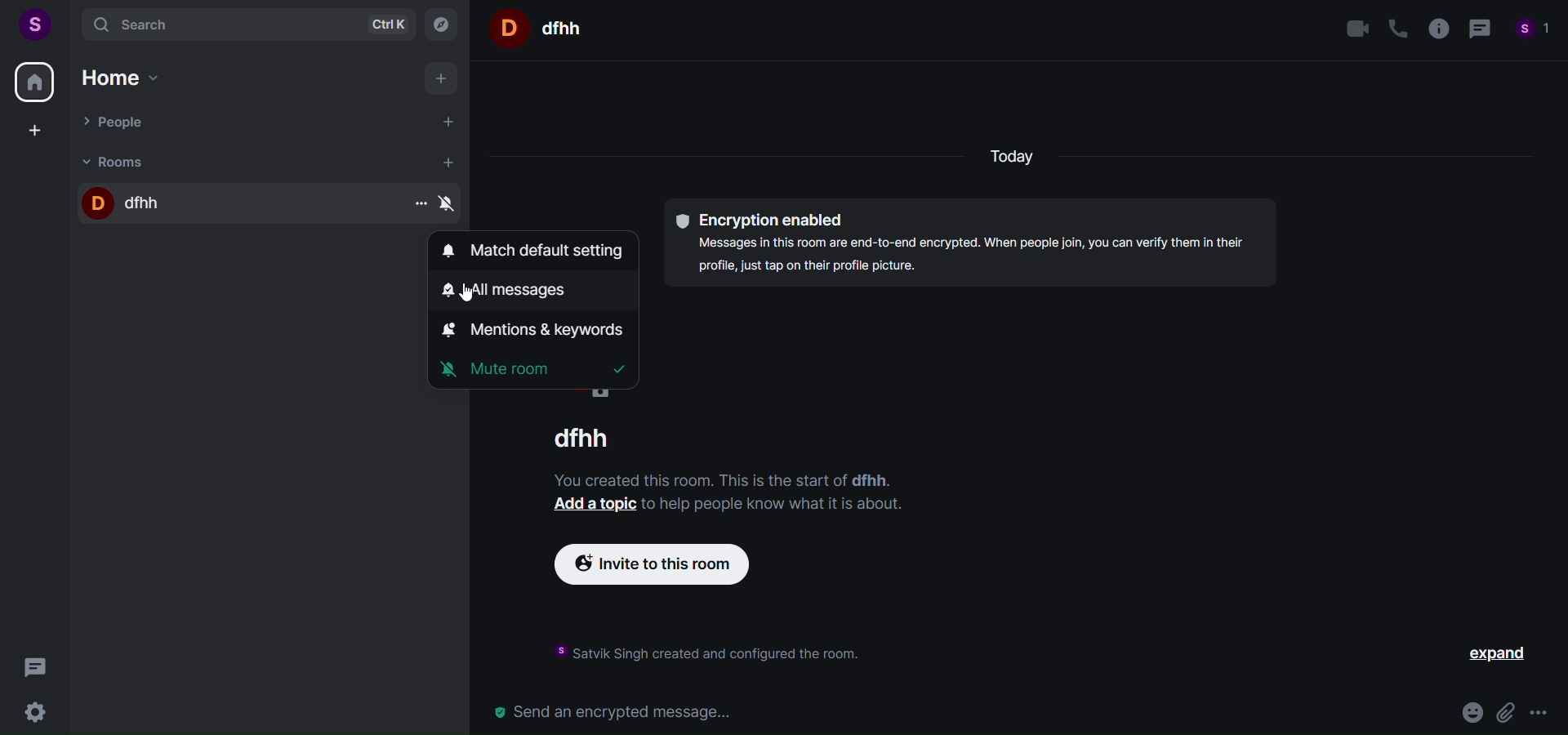 The width and height of the screenshot is (1568, 735). Describe the element at coordinates (700, 653) in the screenshot. I see `satvik singh created and configured the room.` at that location.